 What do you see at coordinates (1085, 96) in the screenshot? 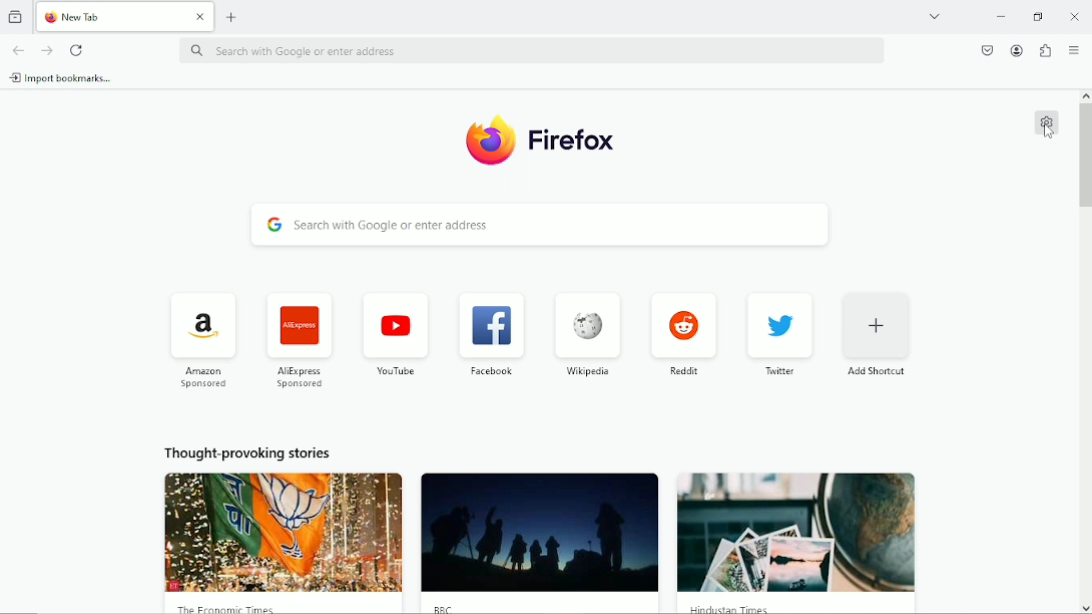
I see `scroll up` at bounding box center [1085, 96].